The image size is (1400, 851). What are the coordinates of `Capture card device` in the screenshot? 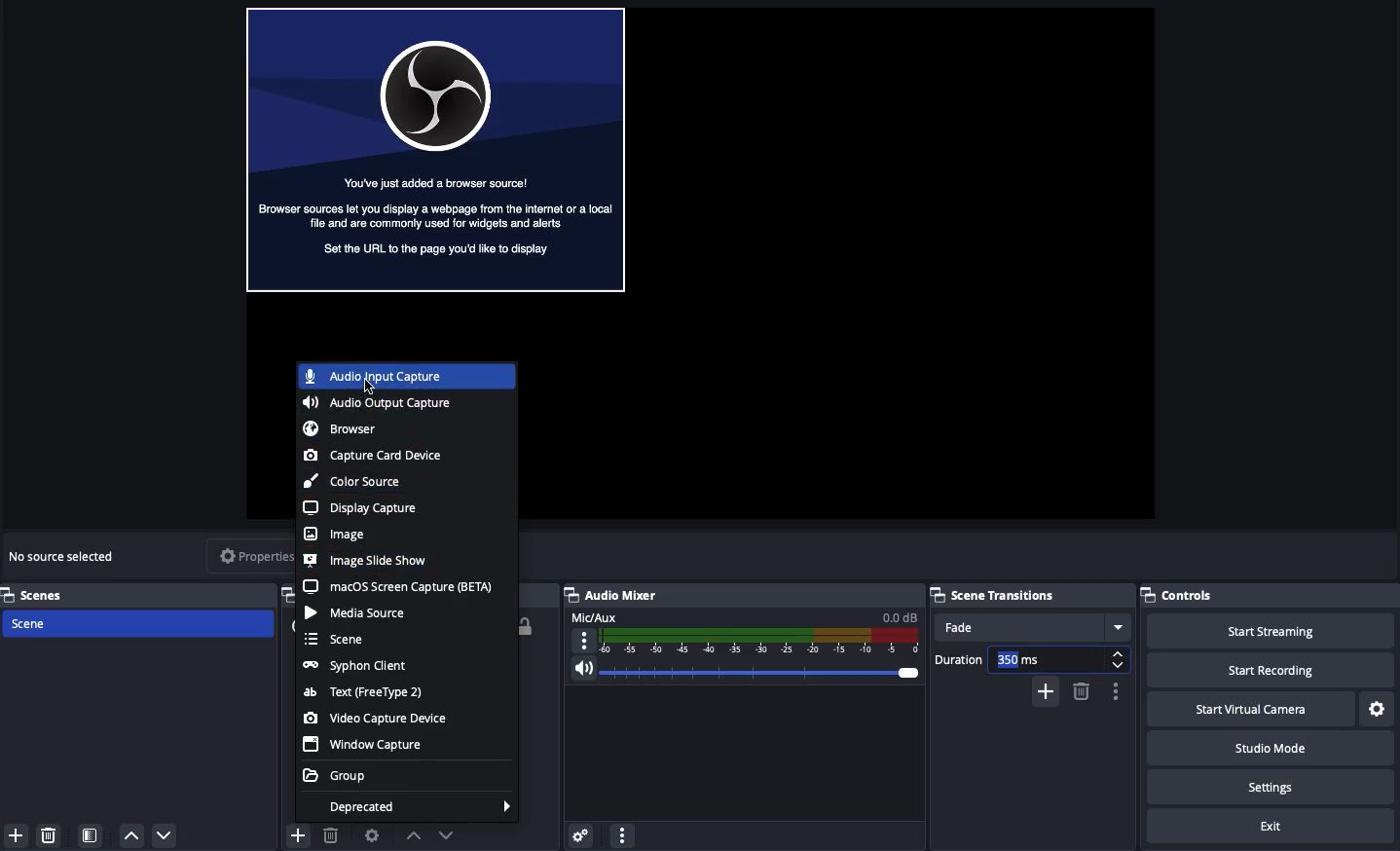 It's located at (376, 456).